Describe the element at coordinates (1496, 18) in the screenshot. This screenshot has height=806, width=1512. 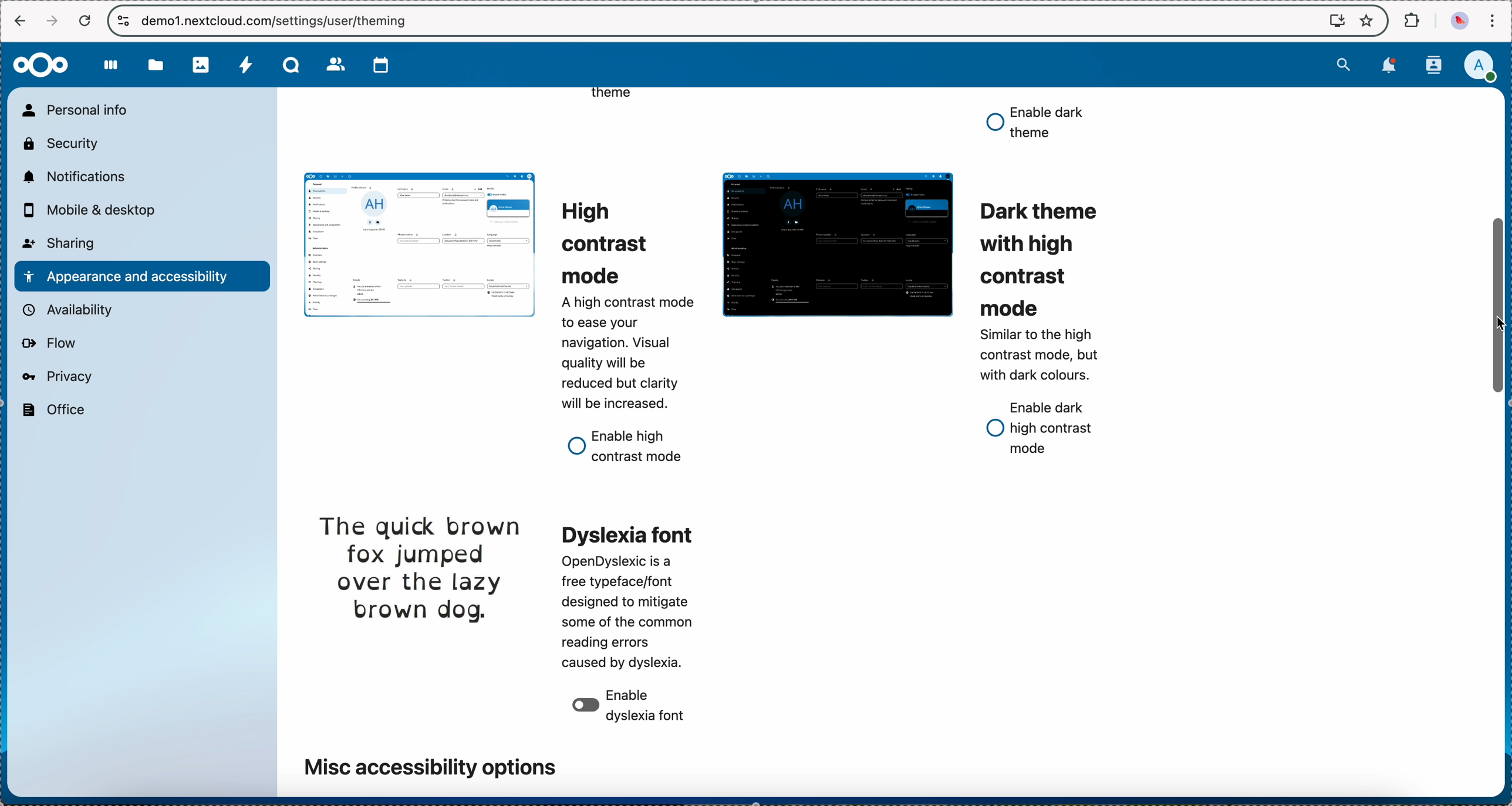
I see `customize and control Google Chrome` at that location.